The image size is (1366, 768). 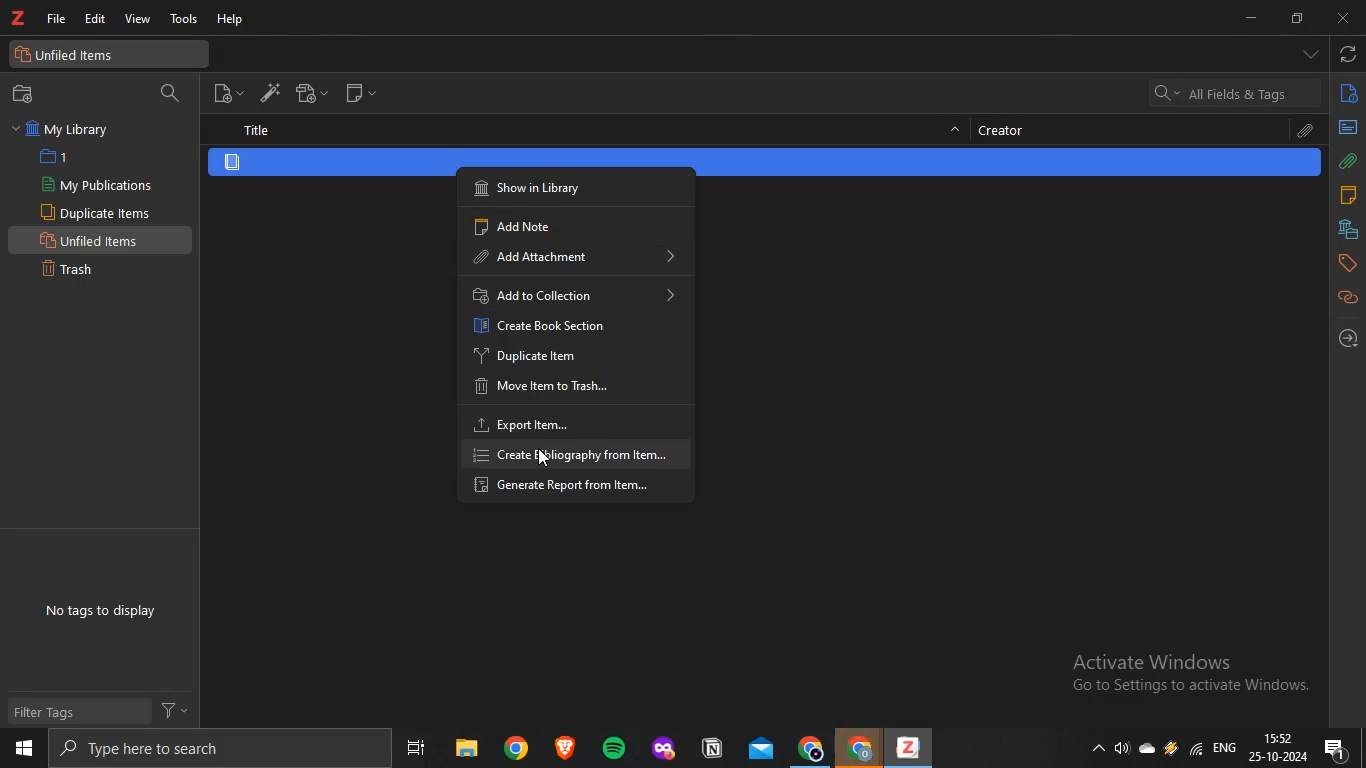 What do you see at coordinates (19, 19) in the screenshot?
I see `zotero` at bounding box center [19, 19].